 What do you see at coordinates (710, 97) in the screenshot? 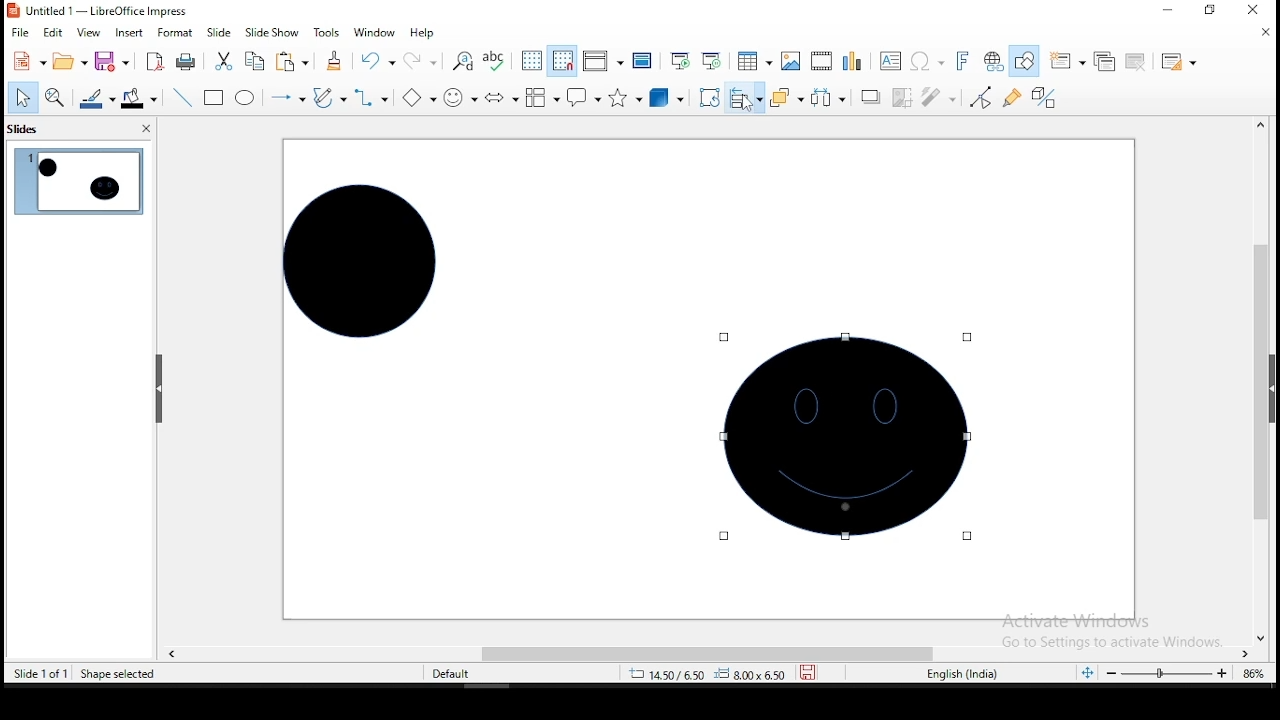
I see `rotate` at bounding box center [710, 97].